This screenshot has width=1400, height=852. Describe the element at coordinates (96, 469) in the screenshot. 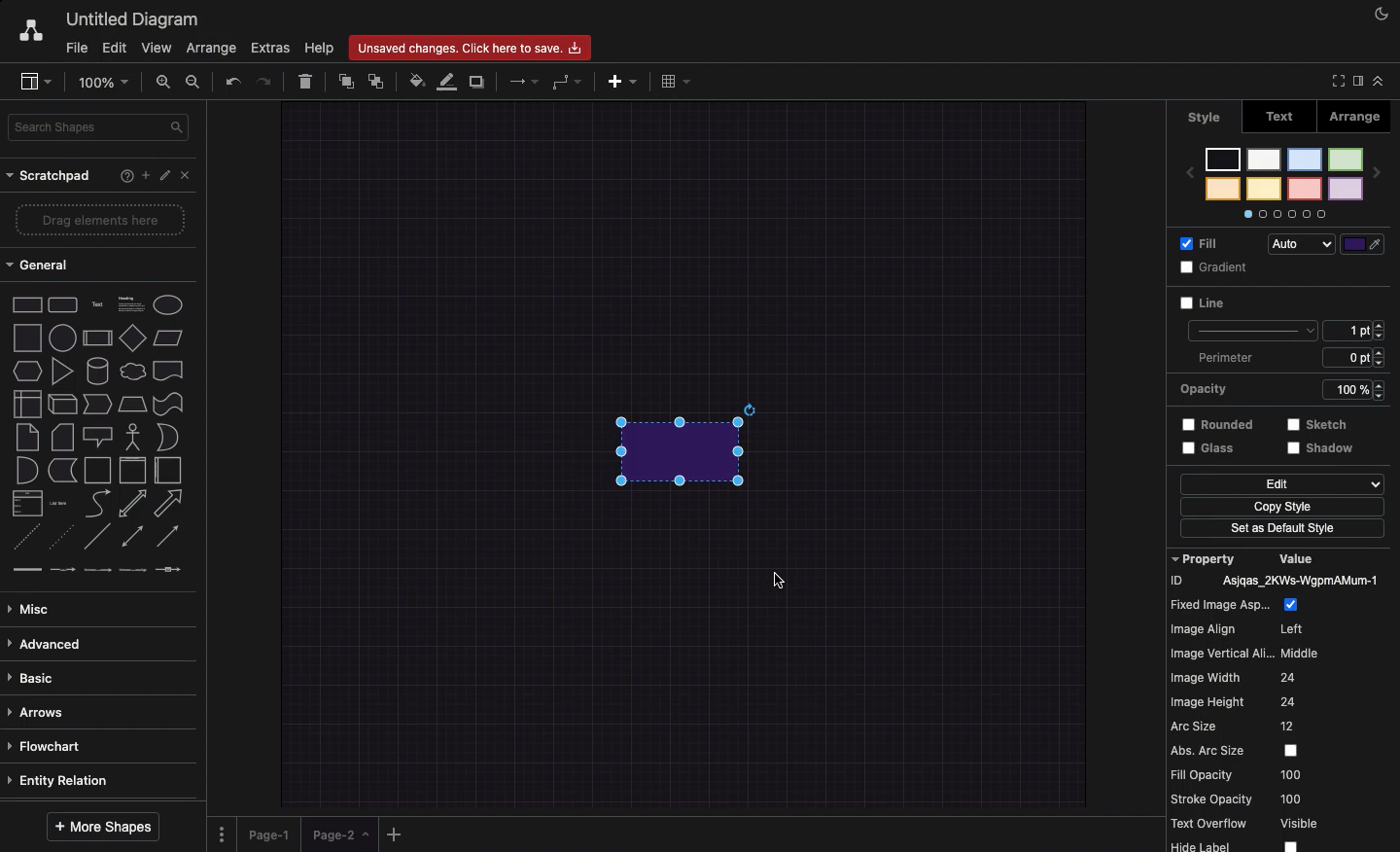

I see `container` at that location.